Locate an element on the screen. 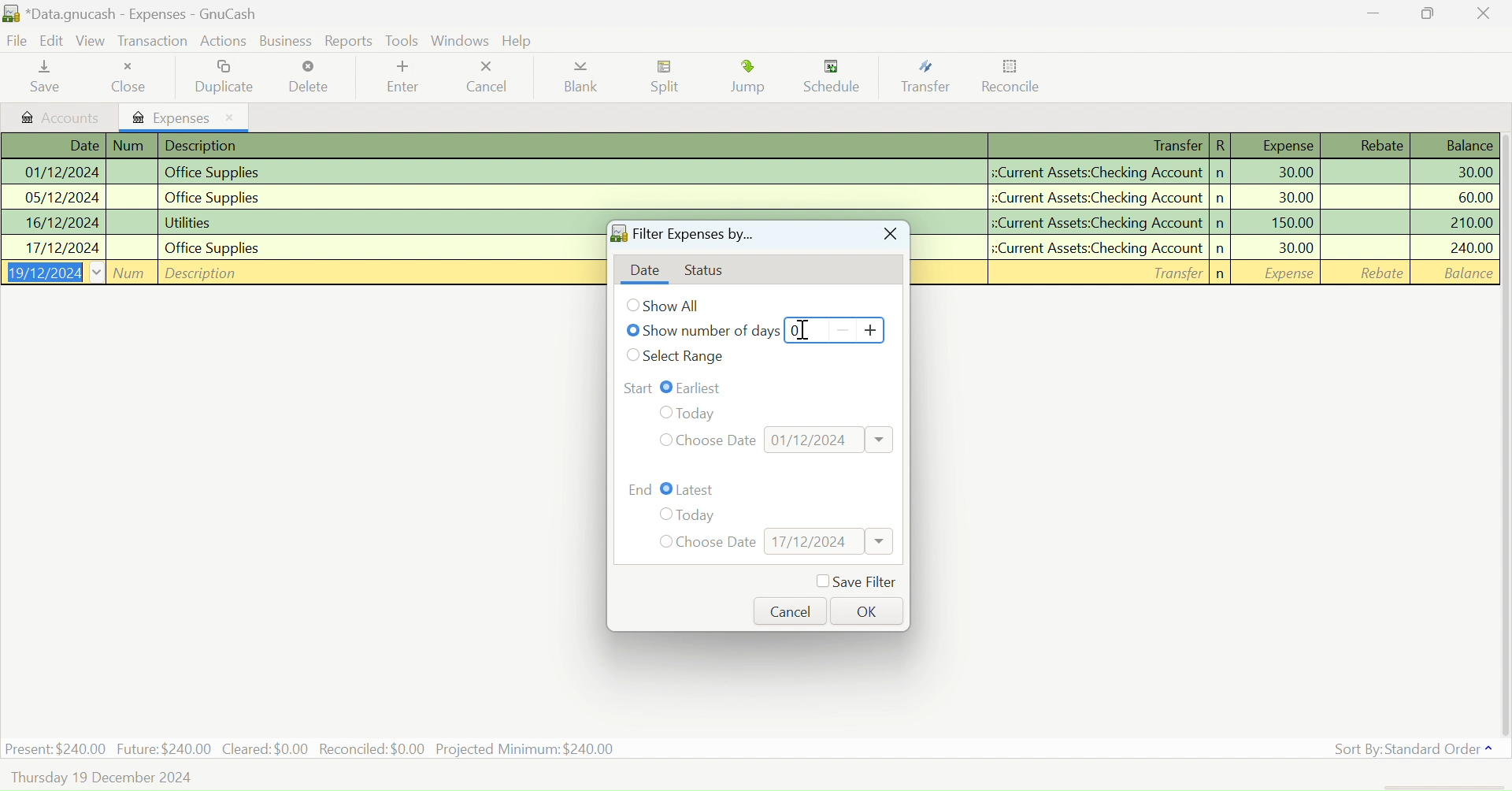  Date is located at coordinates (644, 271).